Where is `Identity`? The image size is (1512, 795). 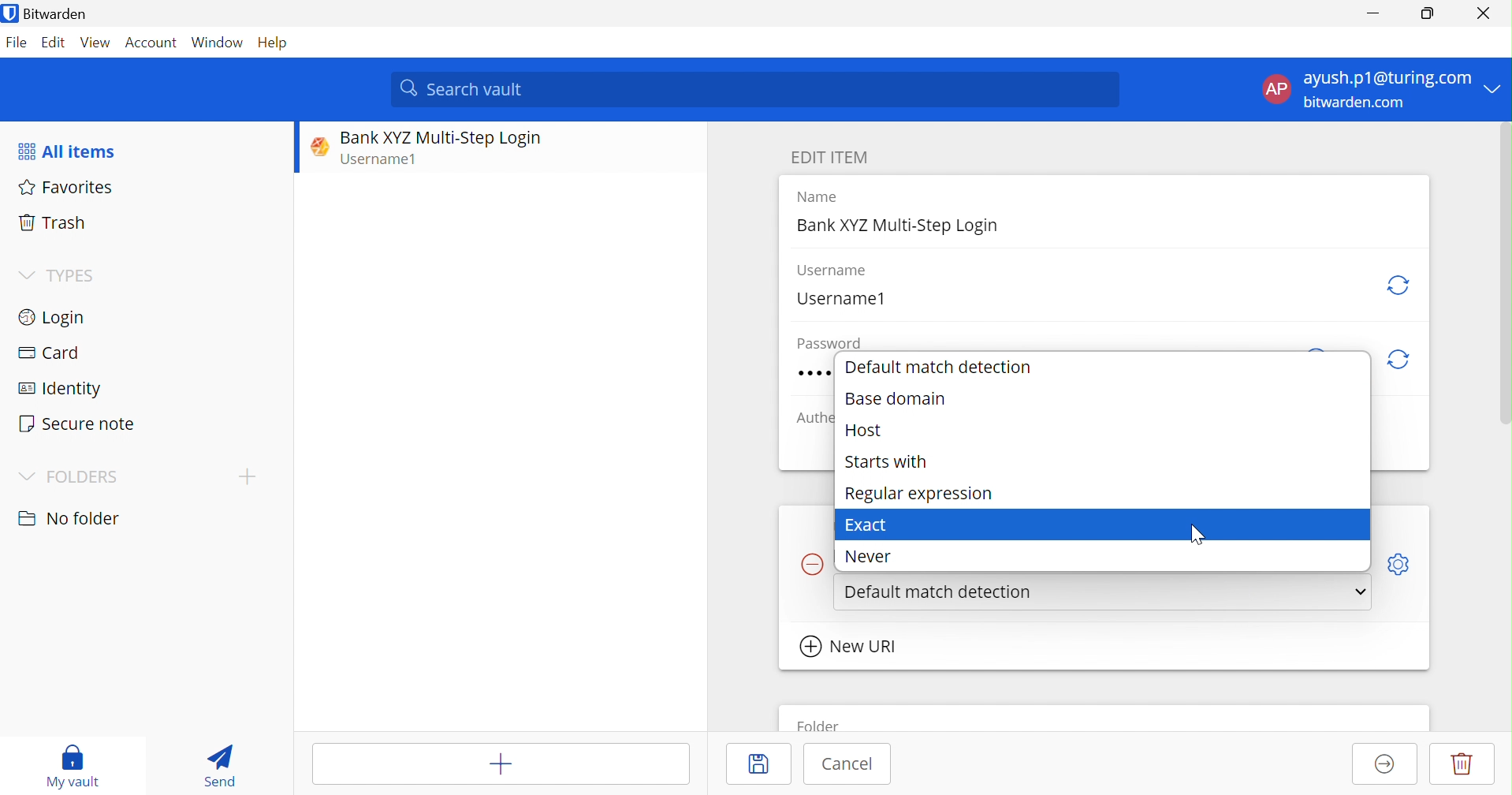
Identity is located at coordinates (61, 390).